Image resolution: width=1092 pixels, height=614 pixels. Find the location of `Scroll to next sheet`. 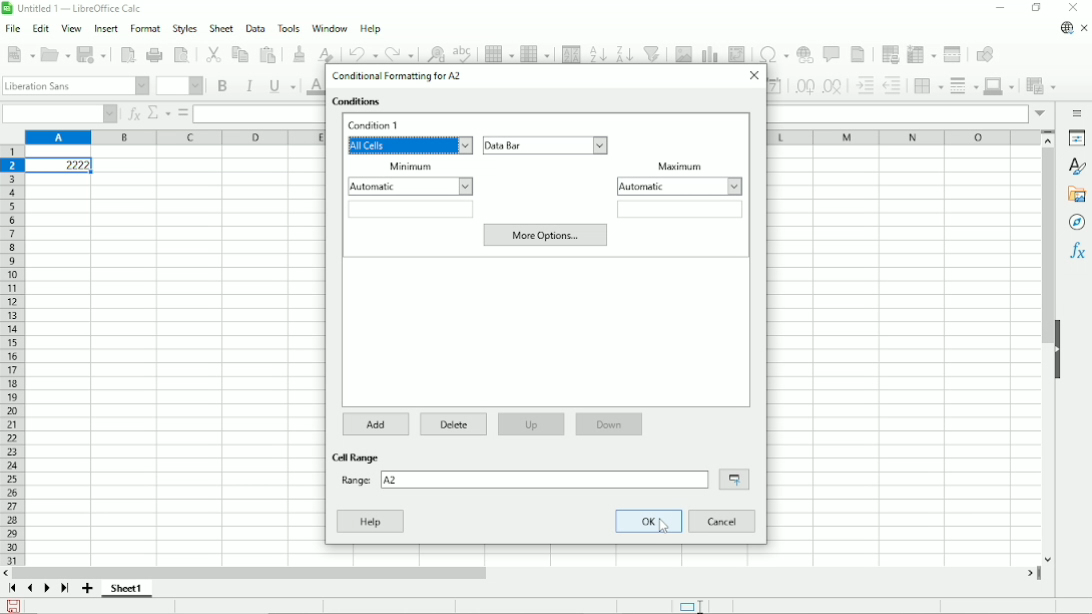

Scroll to next sheet is located at coordinates (47, 589).